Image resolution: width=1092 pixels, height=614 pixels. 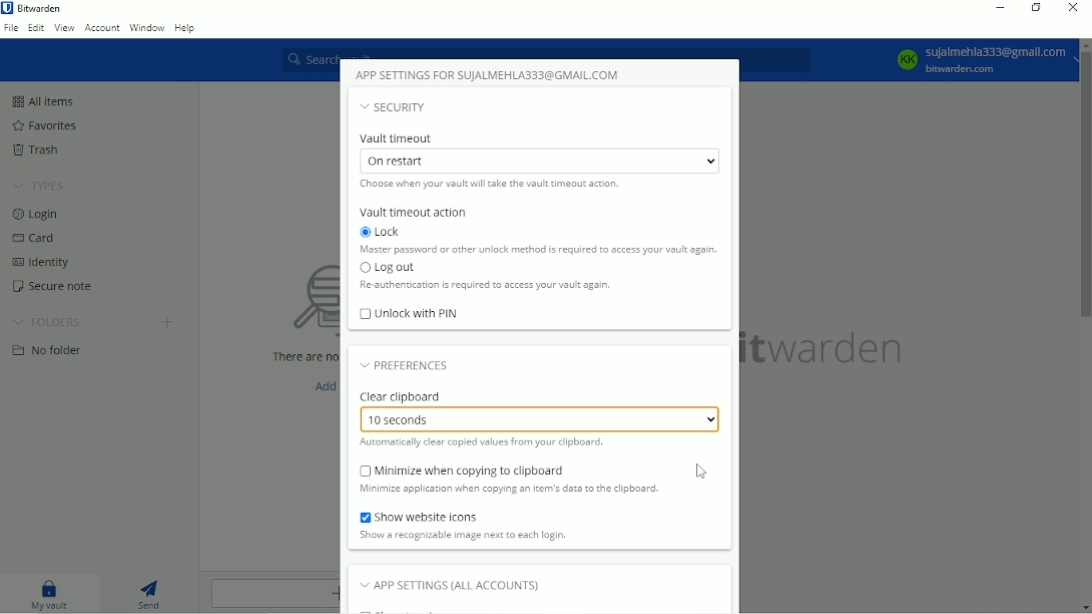 What do you see at coordinates (53, 286) in the screenshot?
I see `Secure note` at bounding box center [53, 286].